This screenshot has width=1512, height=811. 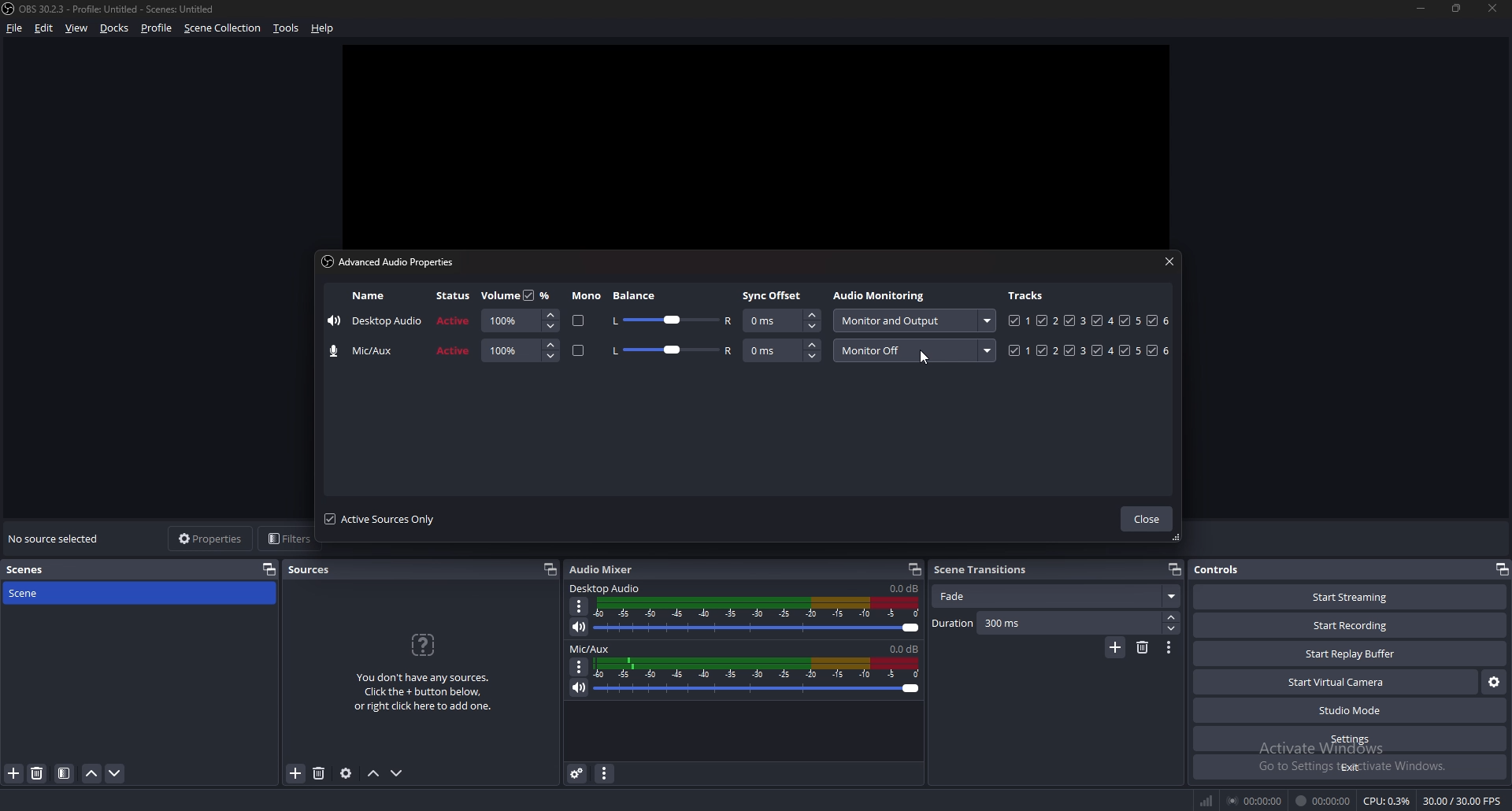 What do you see at coordinates (121, 9) in the screenshot?
I see `‘OBS 30.2.3 - Profile: Untitled - Scenes: Untitled` at bounding box center [121, 9].